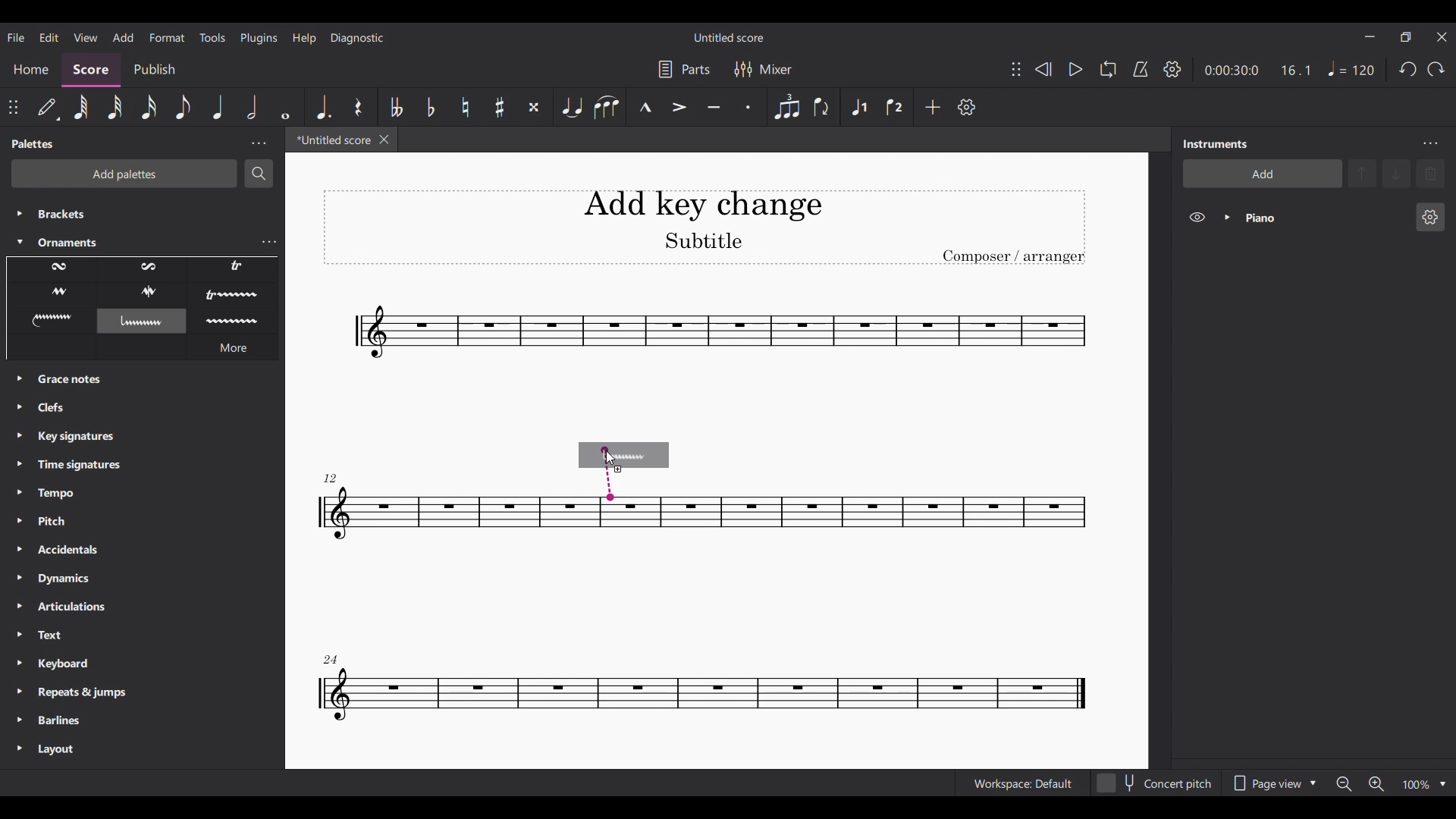  I want to click on Zoom out, so click(1343, 783).